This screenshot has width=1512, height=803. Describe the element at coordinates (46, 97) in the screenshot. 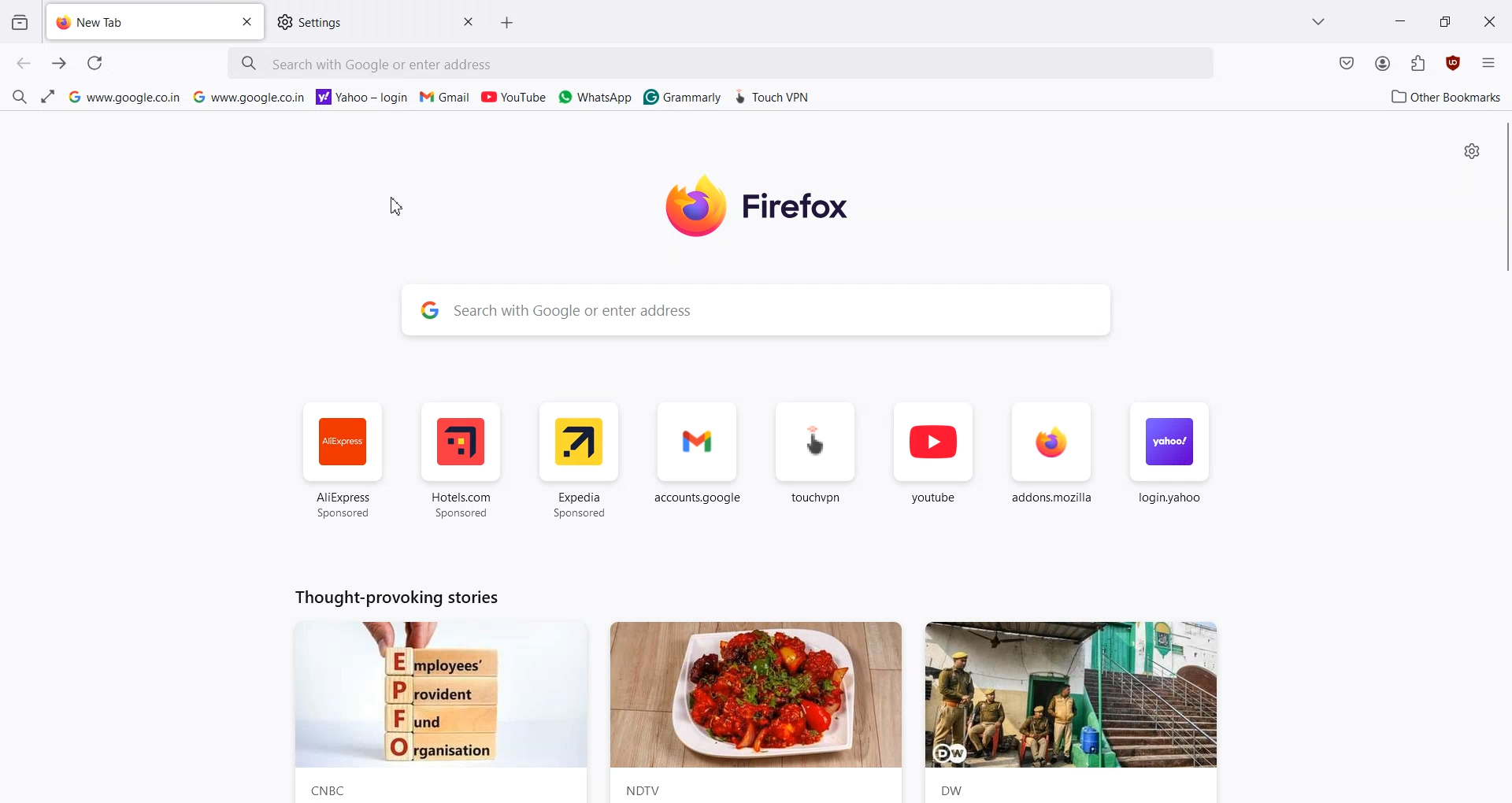

I see `Fullscreen` at that location.